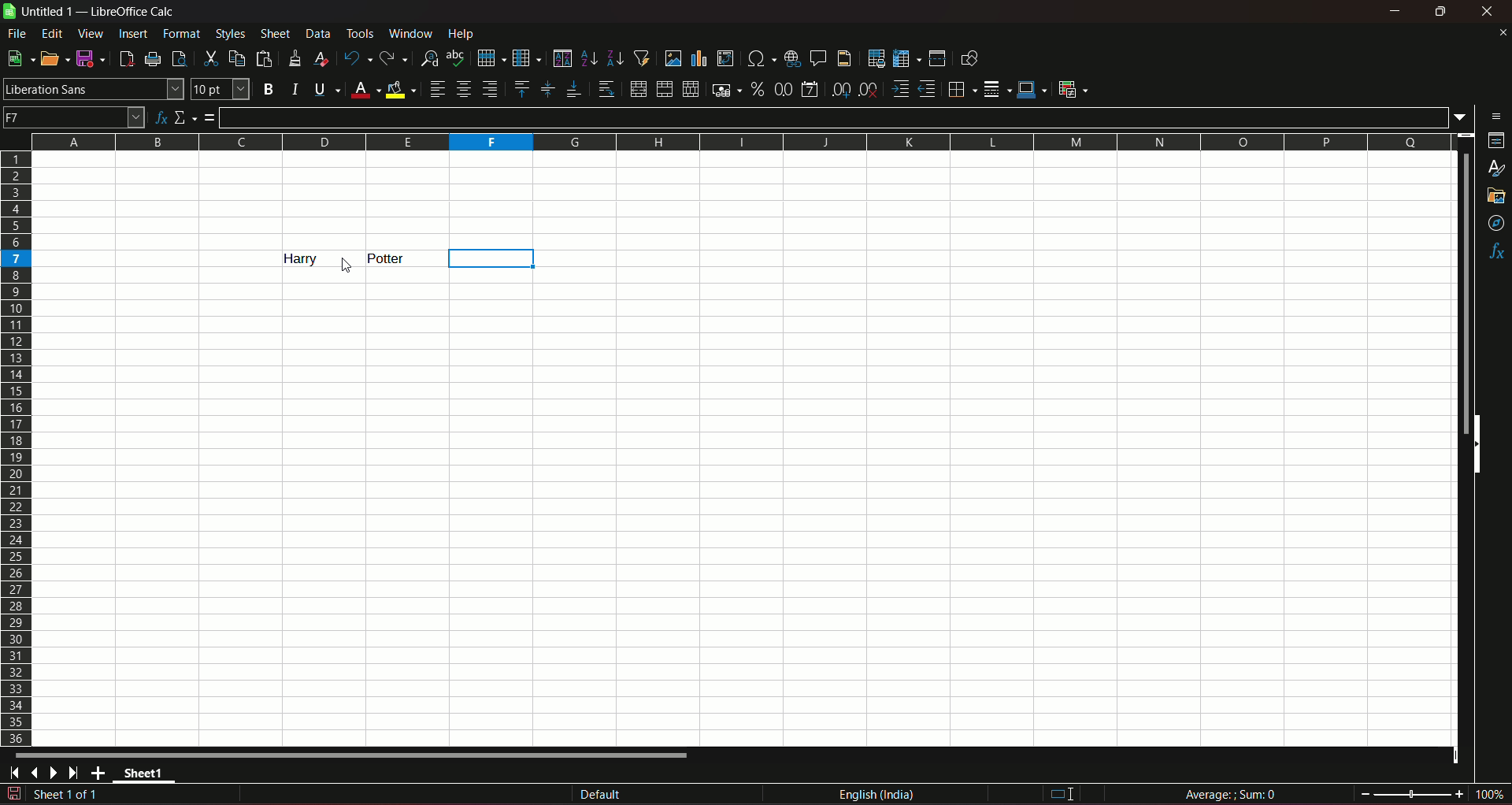 Image resolution: width=1512 pixels, height=805 pixels. Describe the element at coordinates (738, 139) in the screenshot. I see `columns` at that location.